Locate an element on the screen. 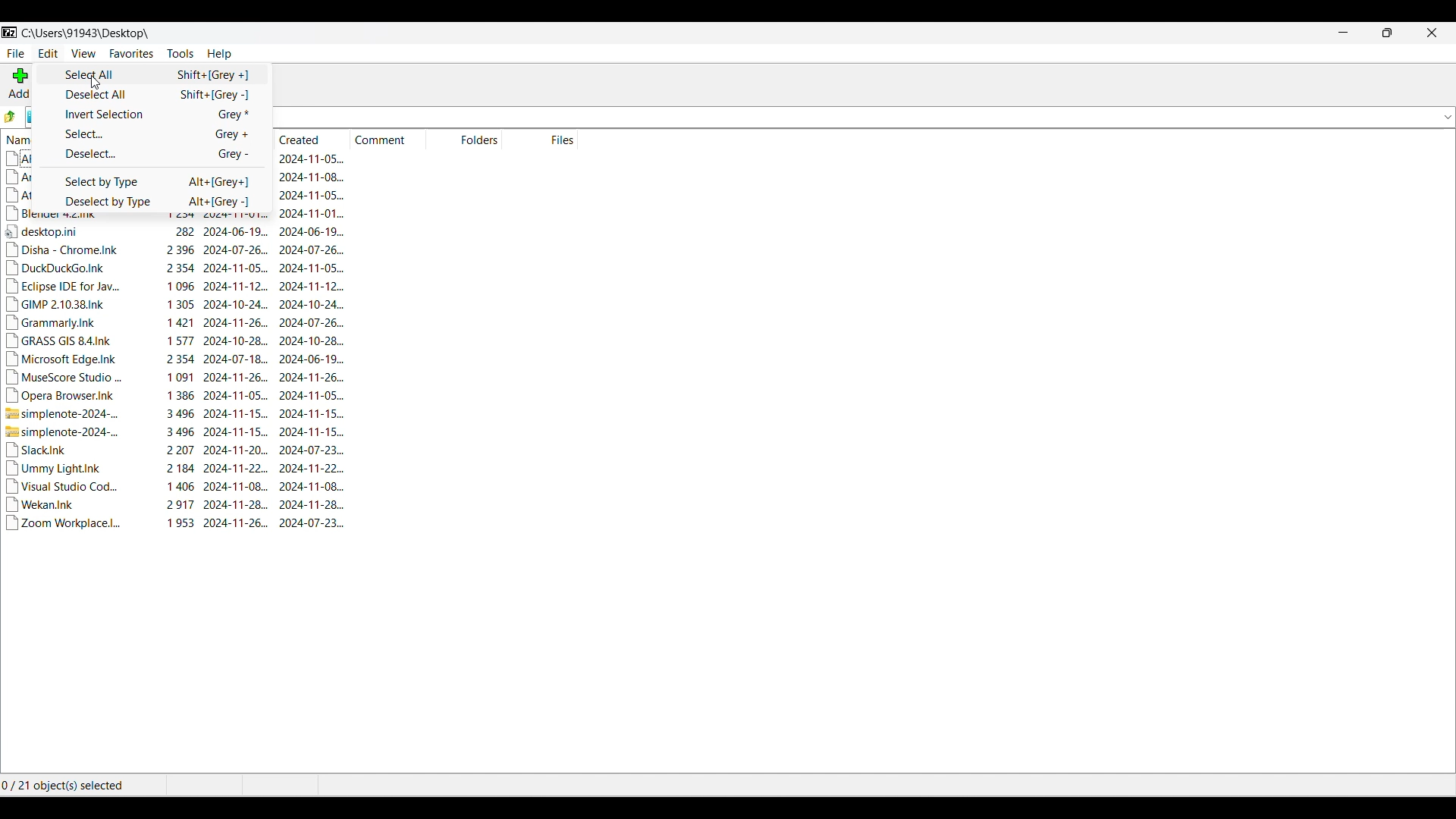  File menu is located at coordinates (16, 54).